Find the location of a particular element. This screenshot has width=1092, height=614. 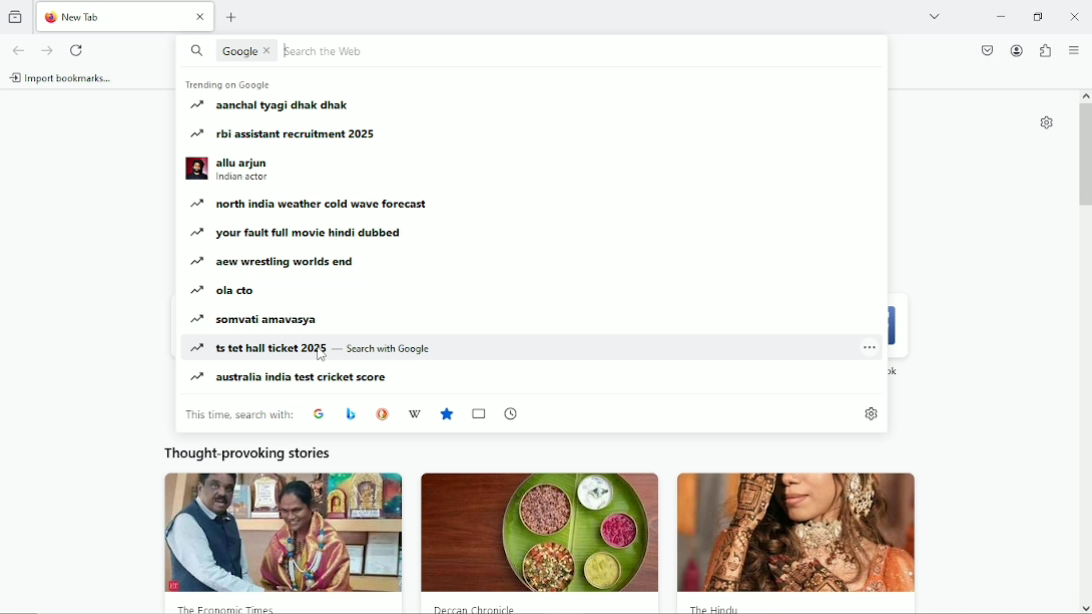

allu arjun is located at coordinates (244, 161).